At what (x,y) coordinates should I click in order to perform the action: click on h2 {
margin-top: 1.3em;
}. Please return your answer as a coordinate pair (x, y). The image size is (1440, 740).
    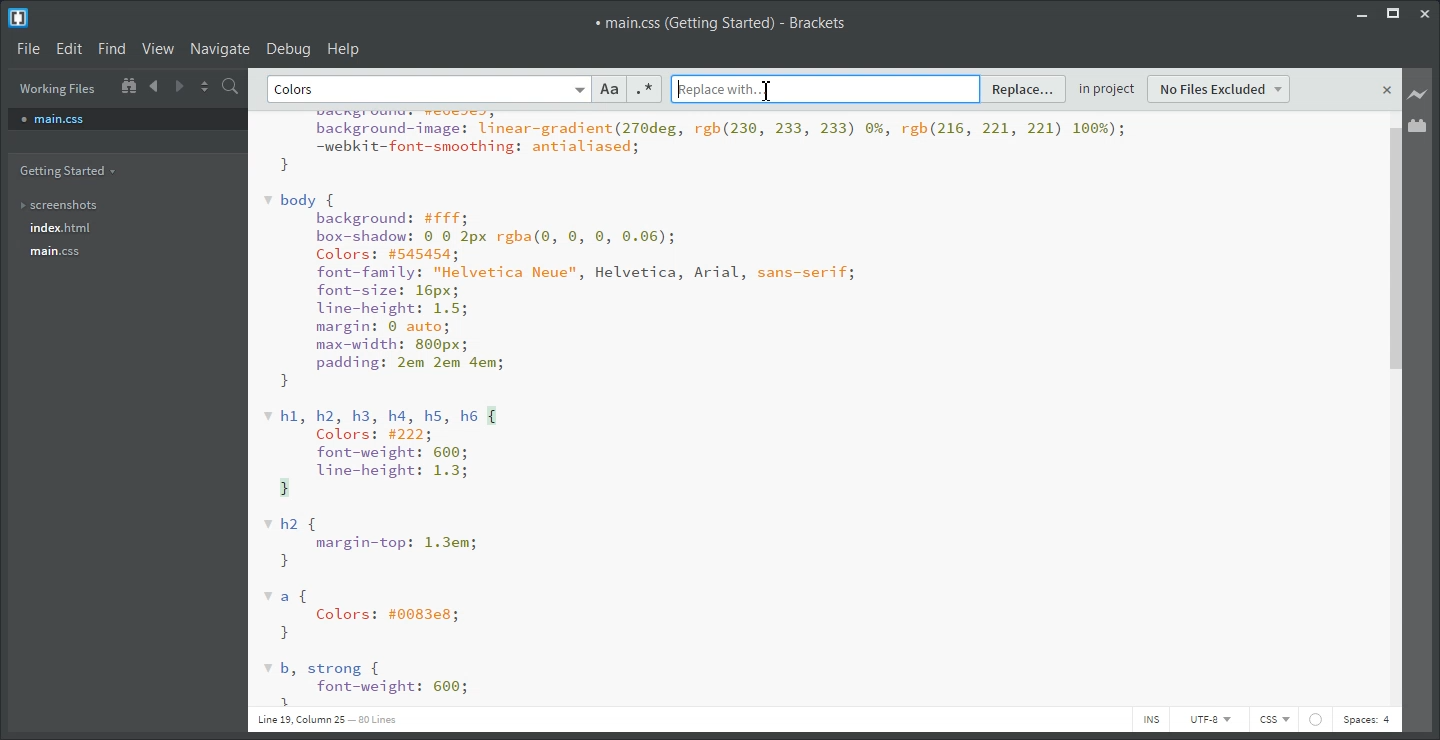
    Looking at the image, I should click on (373, 543).